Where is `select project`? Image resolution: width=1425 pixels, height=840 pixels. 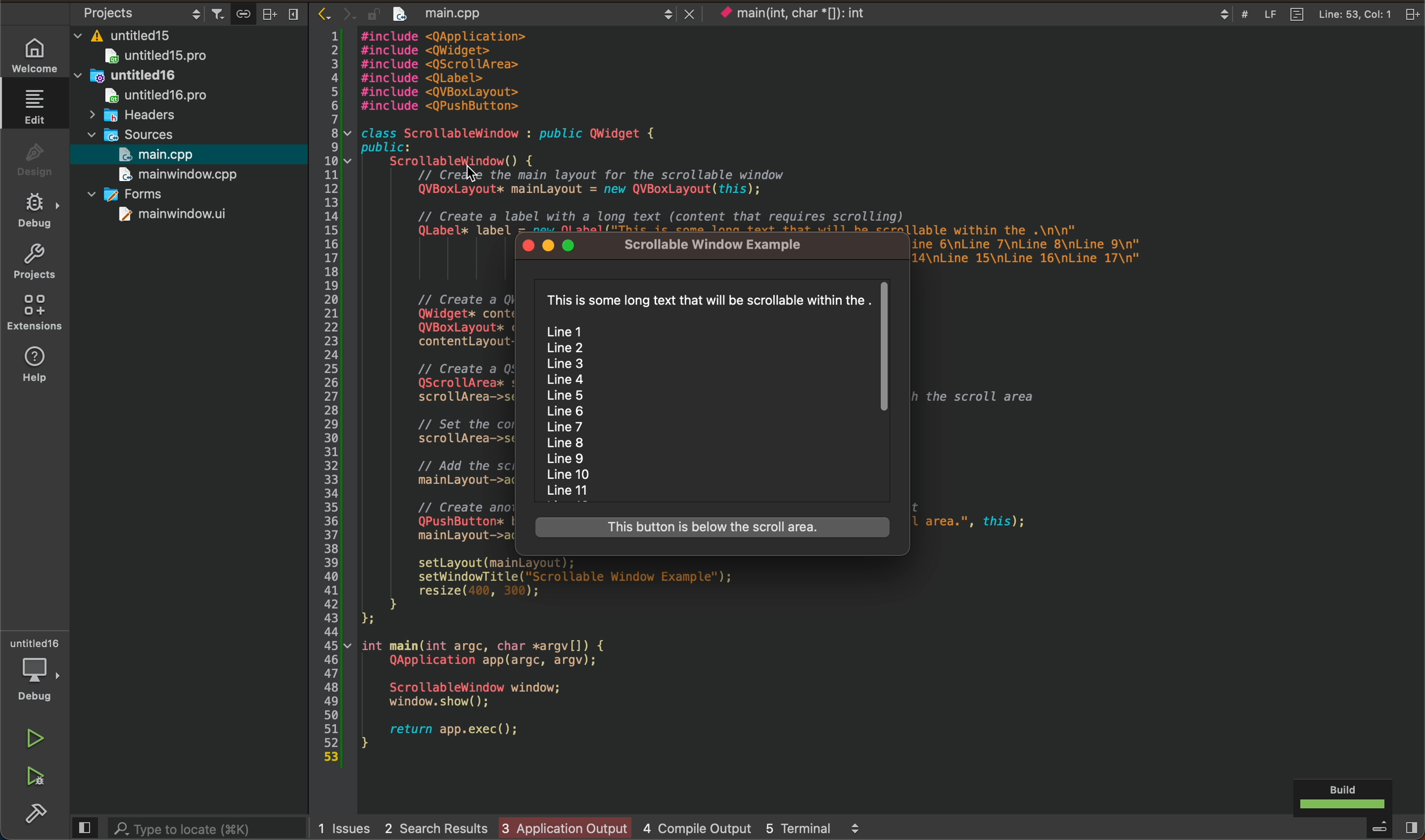 select project is located at coordinates (138, 14).